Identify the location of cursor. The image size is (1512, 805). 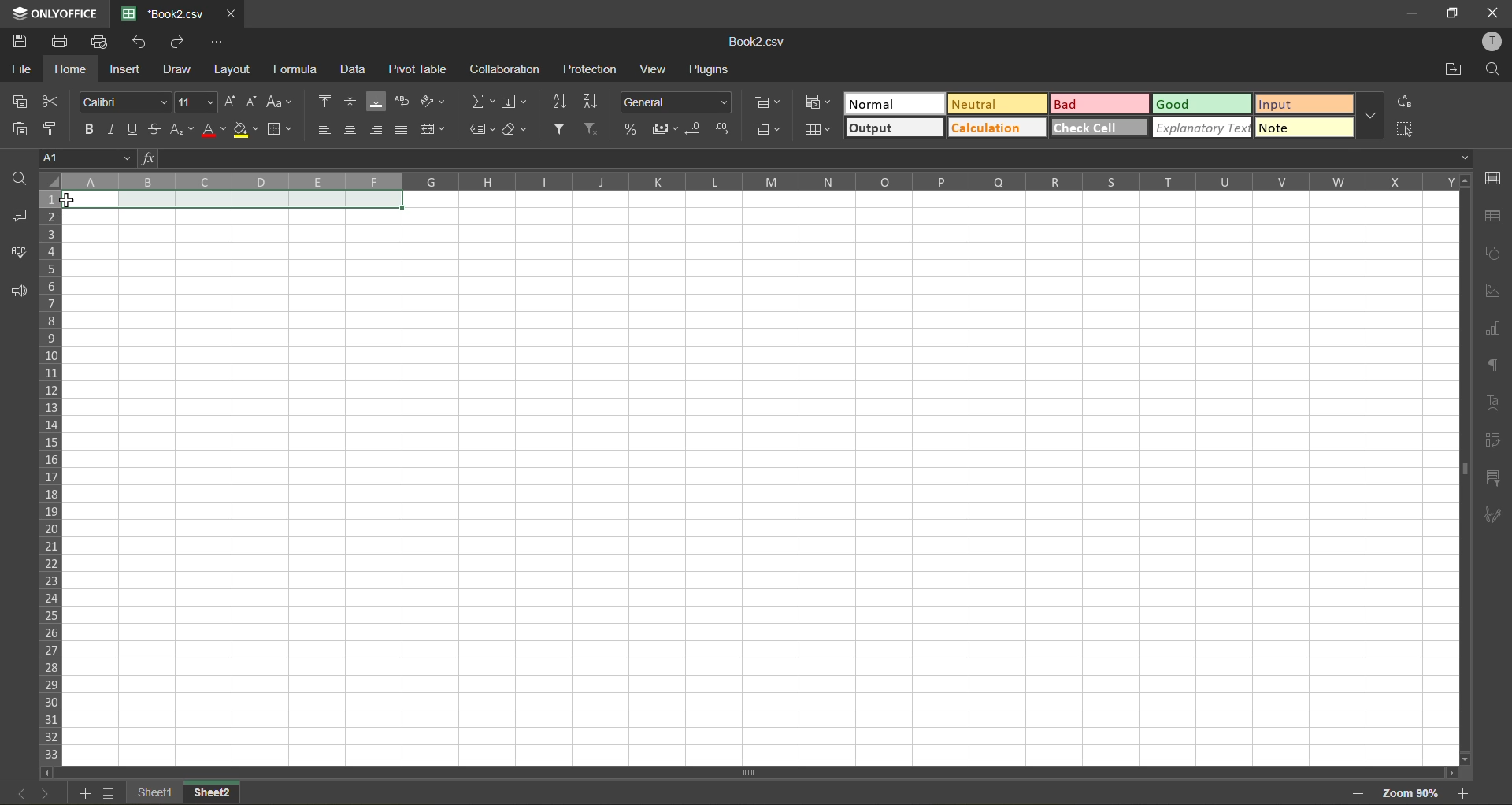
(65, 202).